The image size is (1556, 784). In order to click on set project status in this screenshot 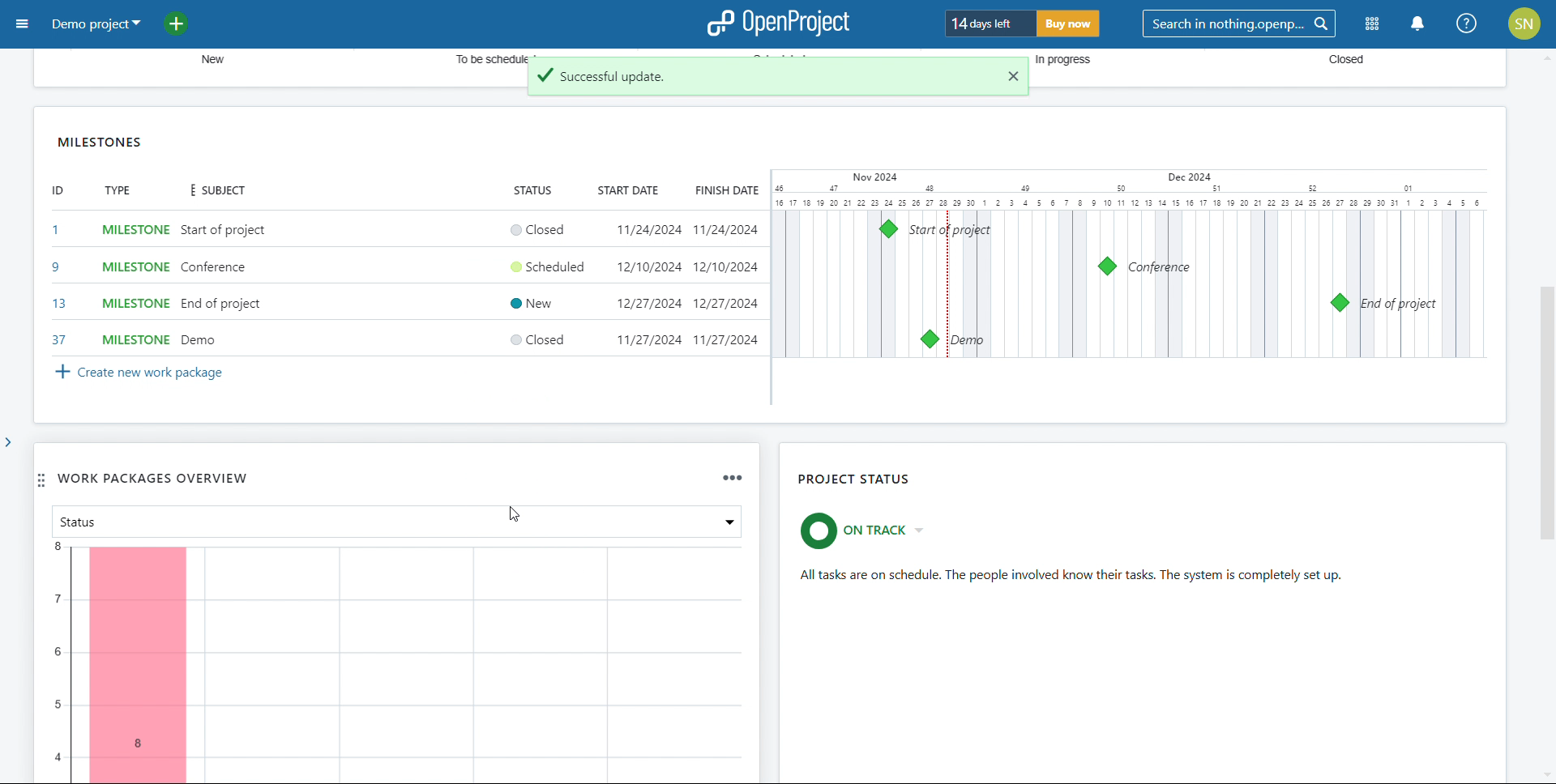, I will do `click(869, 530)`.